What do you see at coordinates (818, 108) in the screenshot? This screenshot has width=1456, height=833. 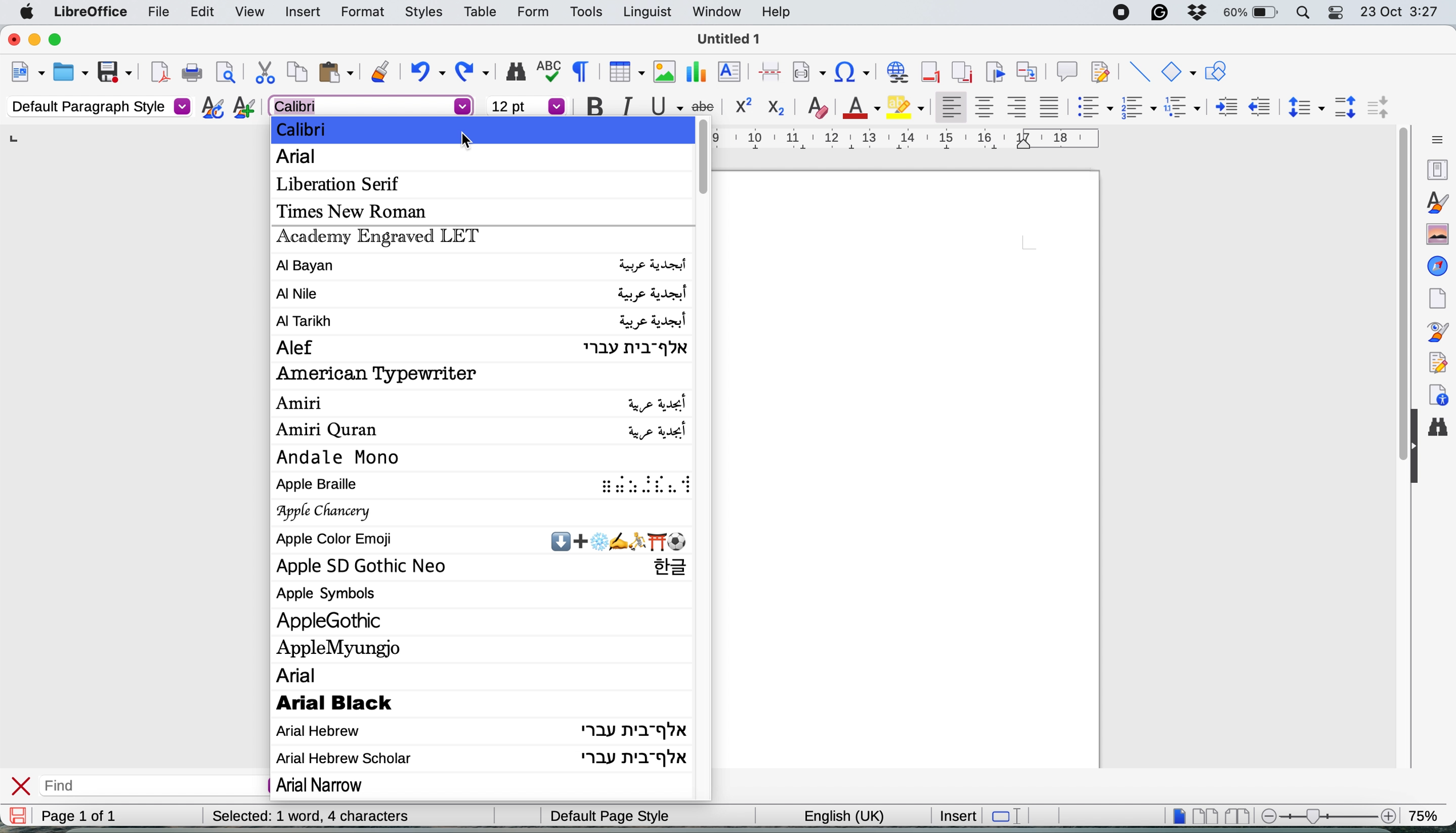 I see `clear direct formatting` at bounding box center [818, 108].